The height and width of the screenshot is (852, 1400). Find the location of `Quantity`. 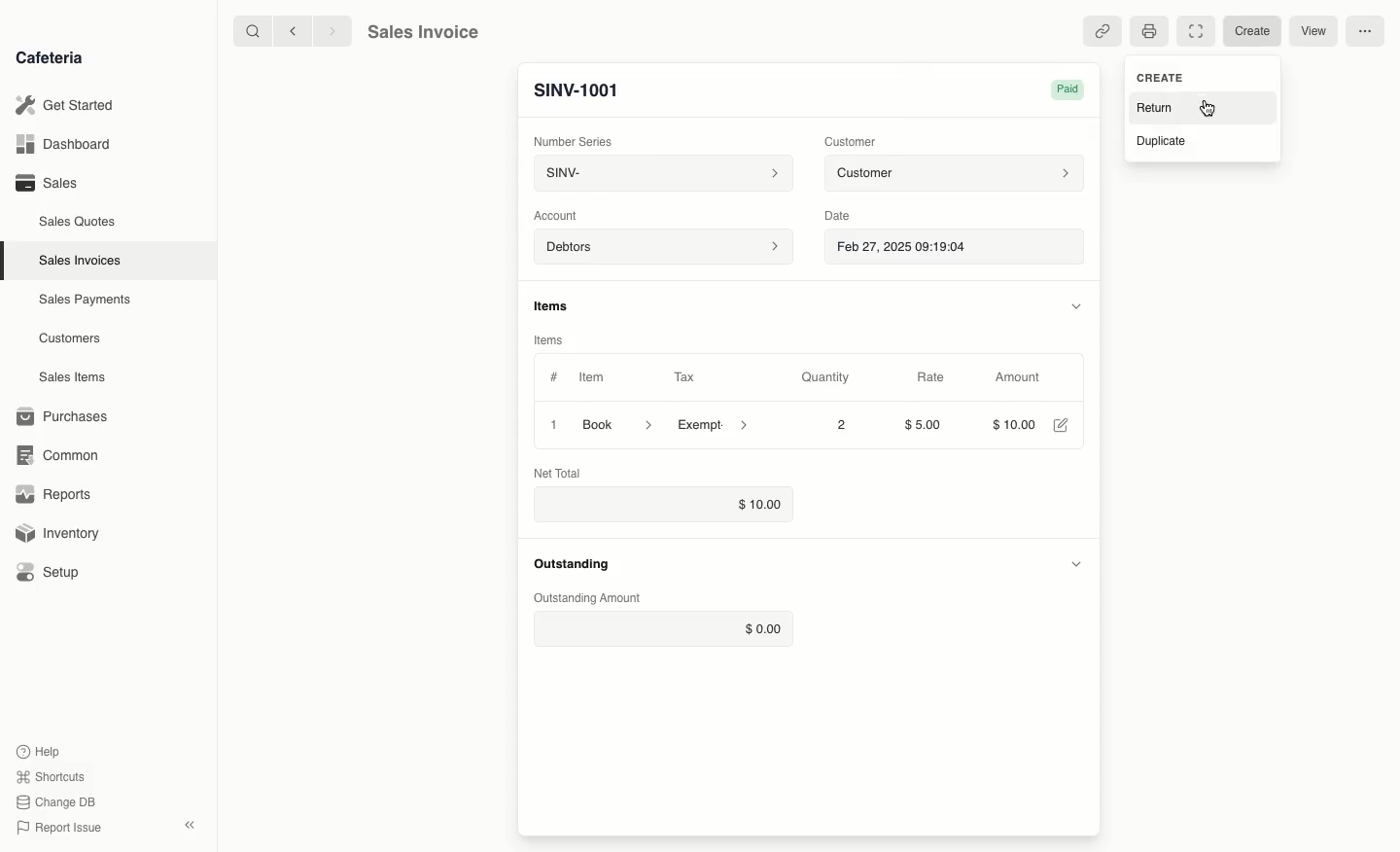

Quantity is located at coordinates (825, 377).